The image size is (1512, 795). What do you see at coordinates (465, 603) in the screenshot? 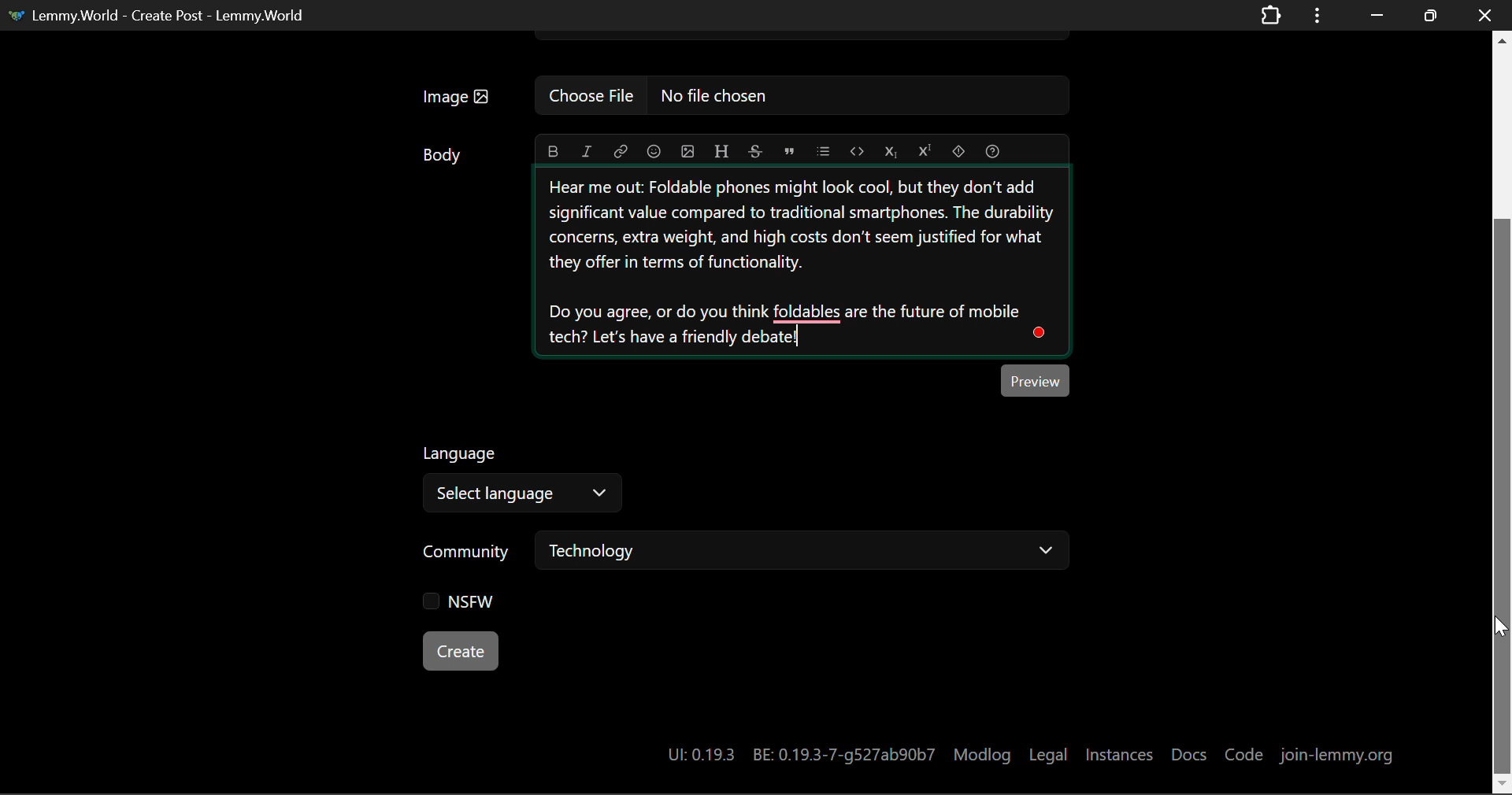
I see `NSFW Checkbox` at bounding box center [465, 603].